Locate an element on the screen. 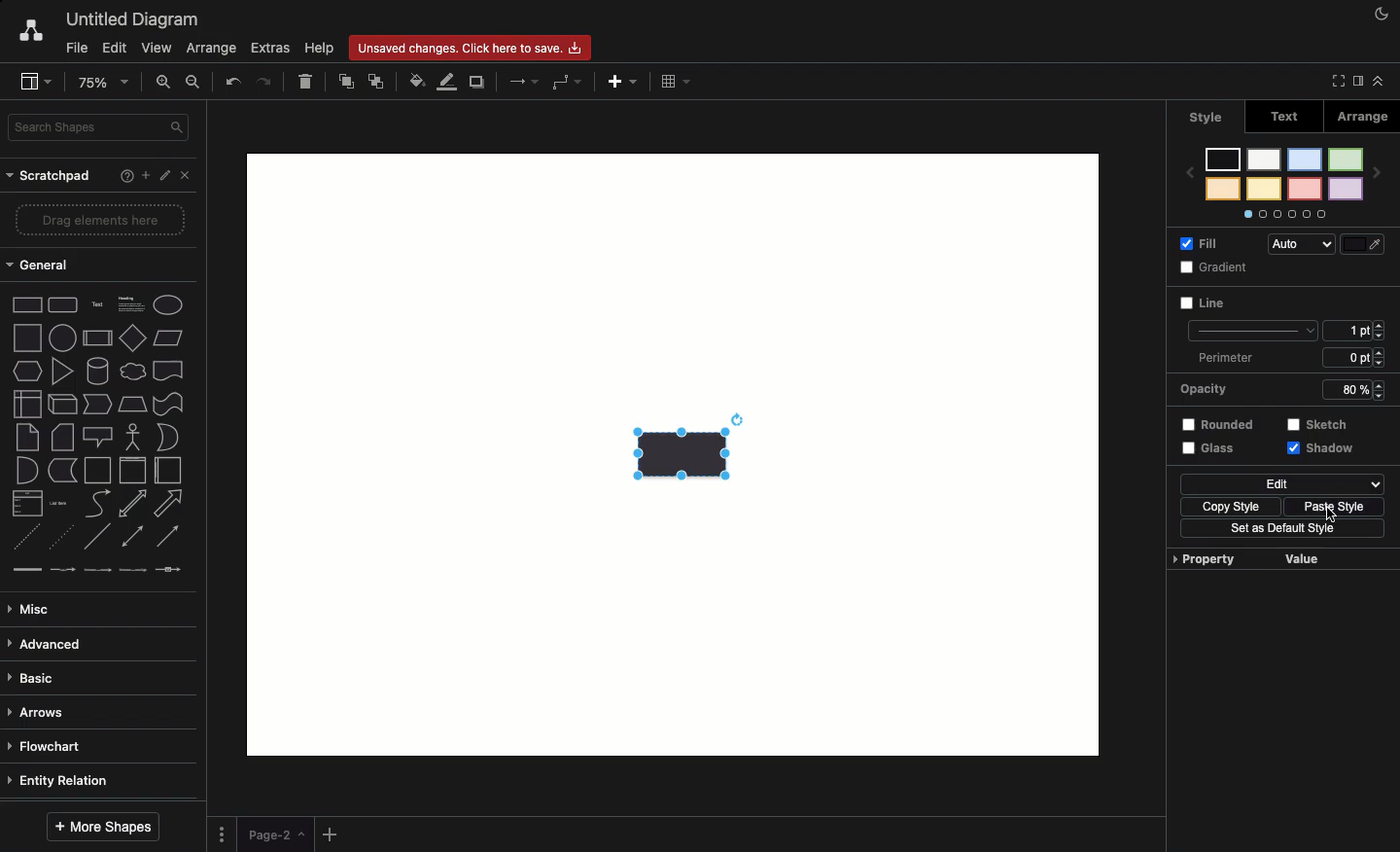  Click is located at coordinates (1333, 515).